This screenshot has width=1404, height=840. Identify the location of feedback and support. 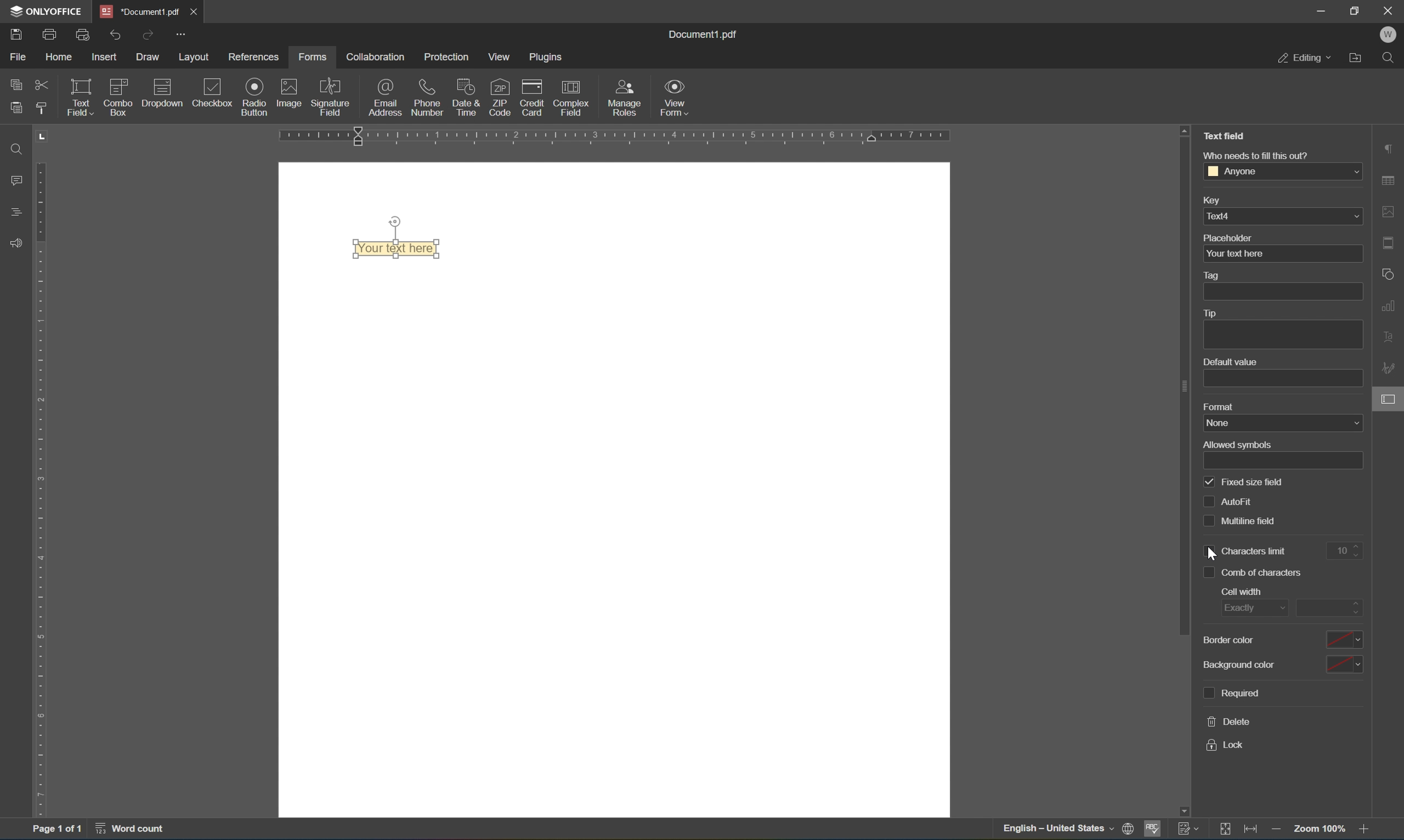
(17, 245).